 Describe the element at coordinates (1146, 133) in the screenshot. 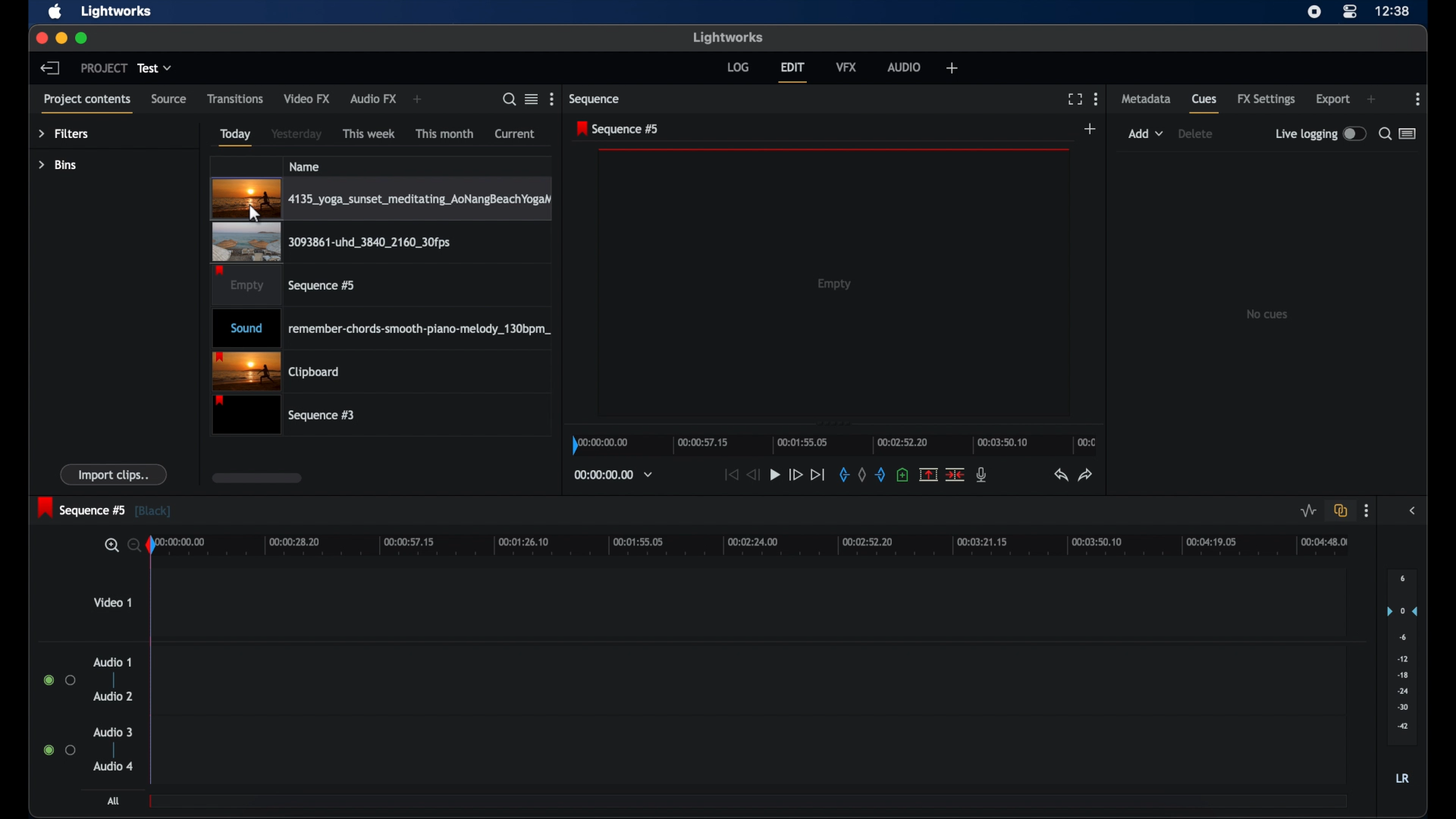

I see `add dropdown` at that location.